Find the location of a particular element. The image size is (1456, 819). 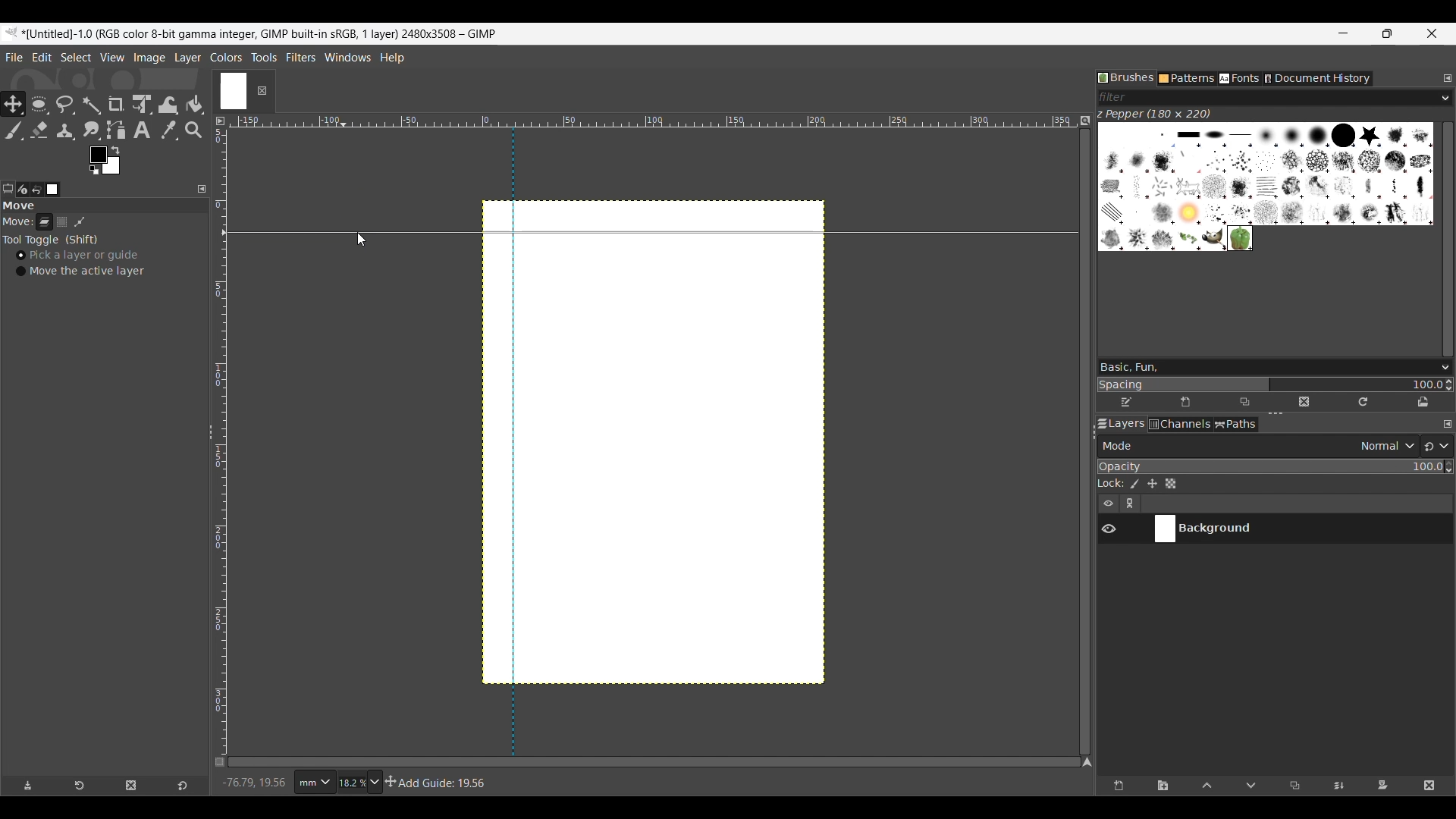

Zoom tool is located at coordinates (195, 130).